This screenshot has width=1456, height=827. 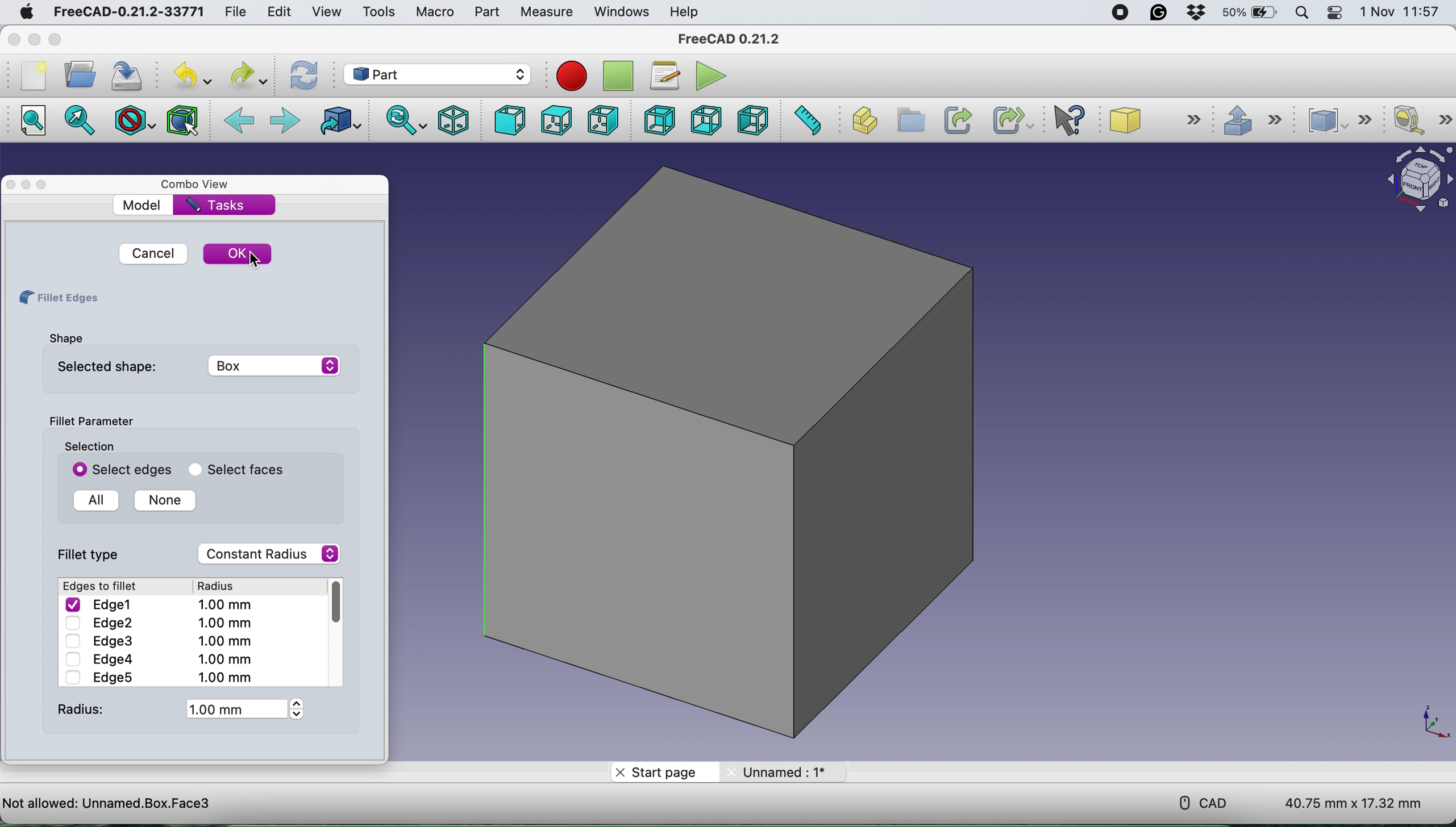 What do you see at coordinates (254, 260) in the screenshot?
I see `Cursor` at bounding box center [254, 260].